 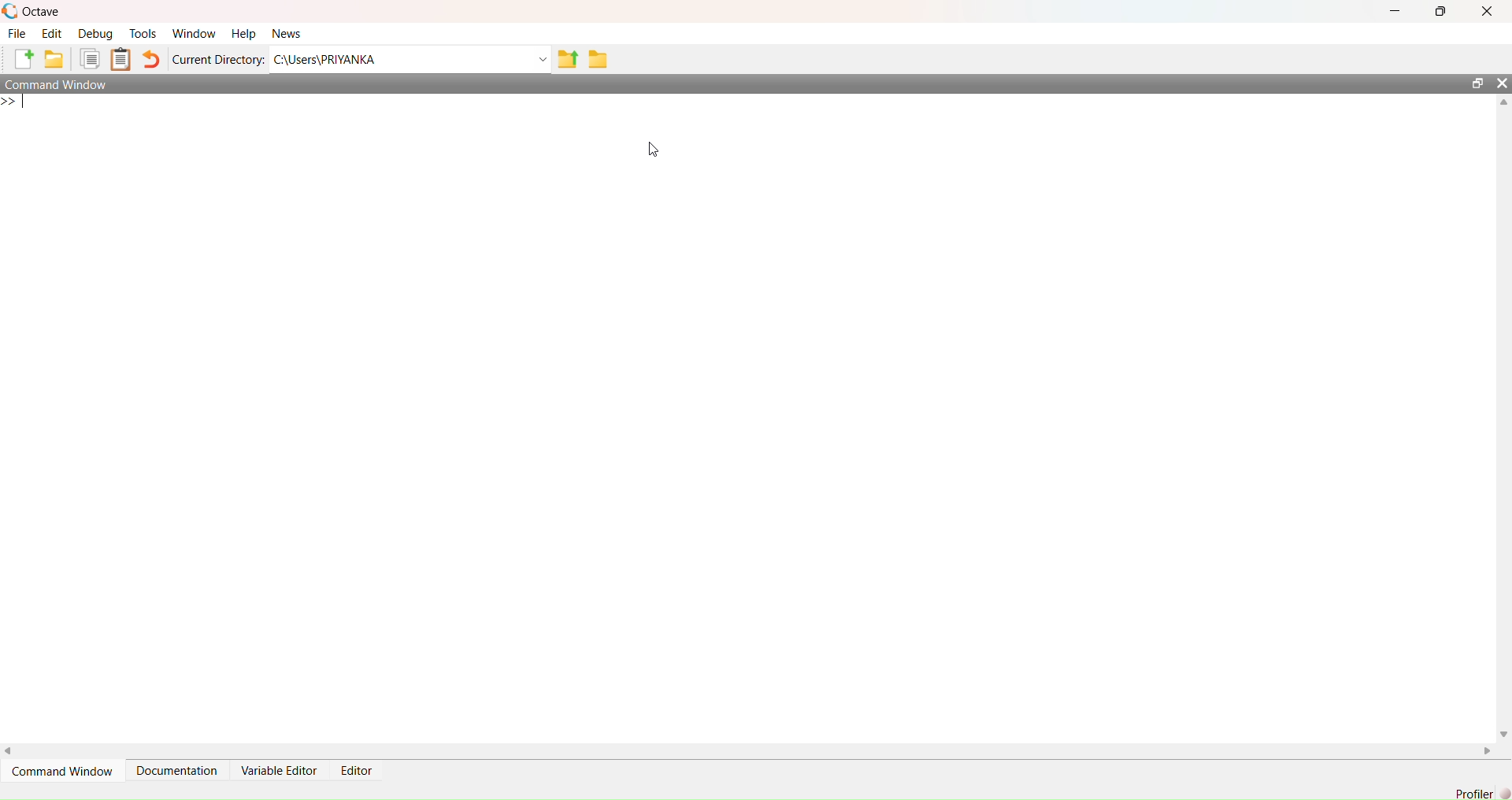 What do you see at coordinates (1478, 83) in the screenshot?
I see `restore` at bounding box center [1478, 83].